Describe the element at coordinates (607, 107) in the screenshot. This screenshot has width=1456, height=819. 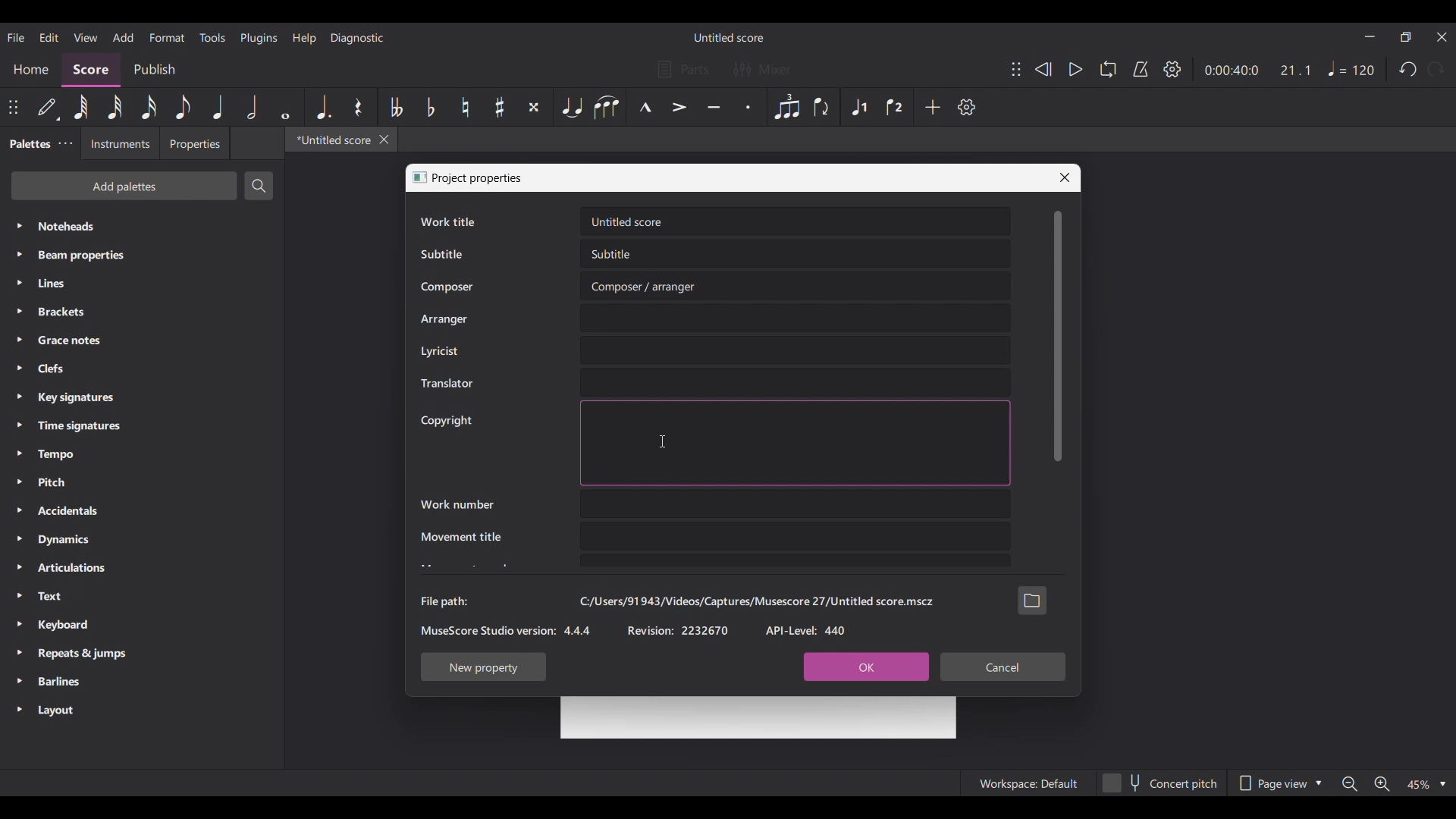
I see `Slur` at that location.